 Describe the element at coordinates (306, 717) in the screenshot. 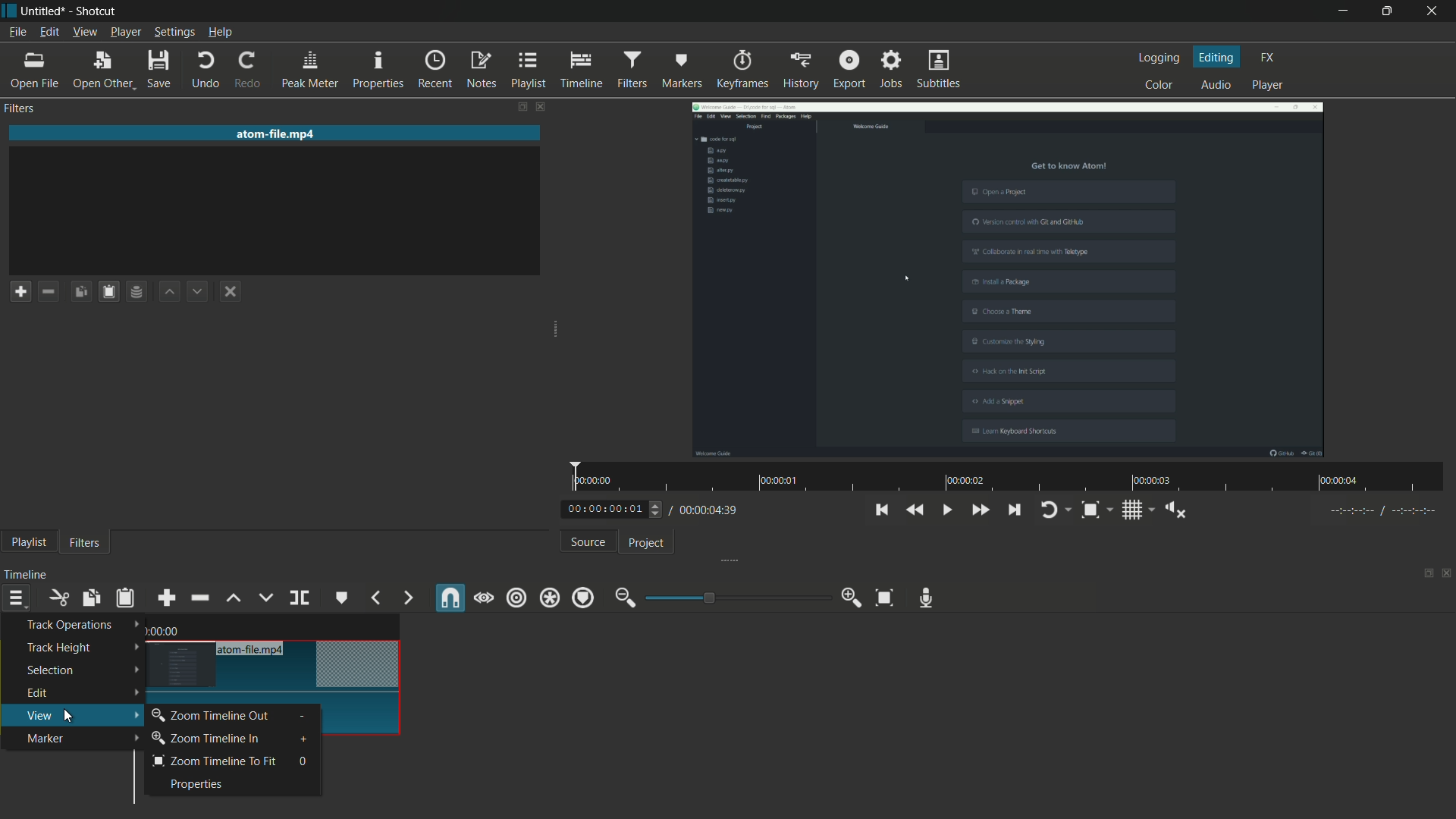

I see `-` at that location.